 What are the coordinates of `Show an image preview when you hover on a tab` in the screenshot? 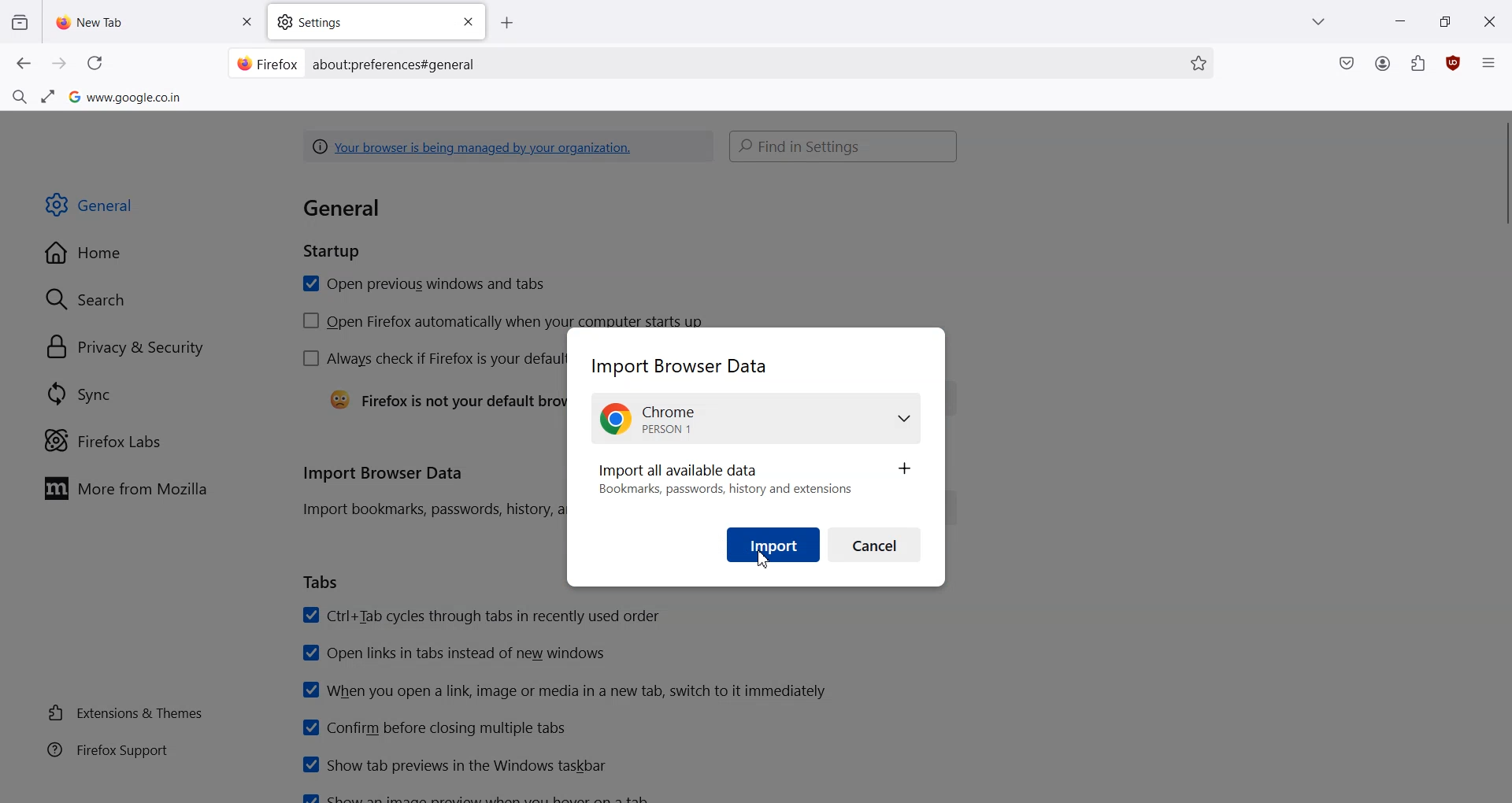 It's located at (480, 796).